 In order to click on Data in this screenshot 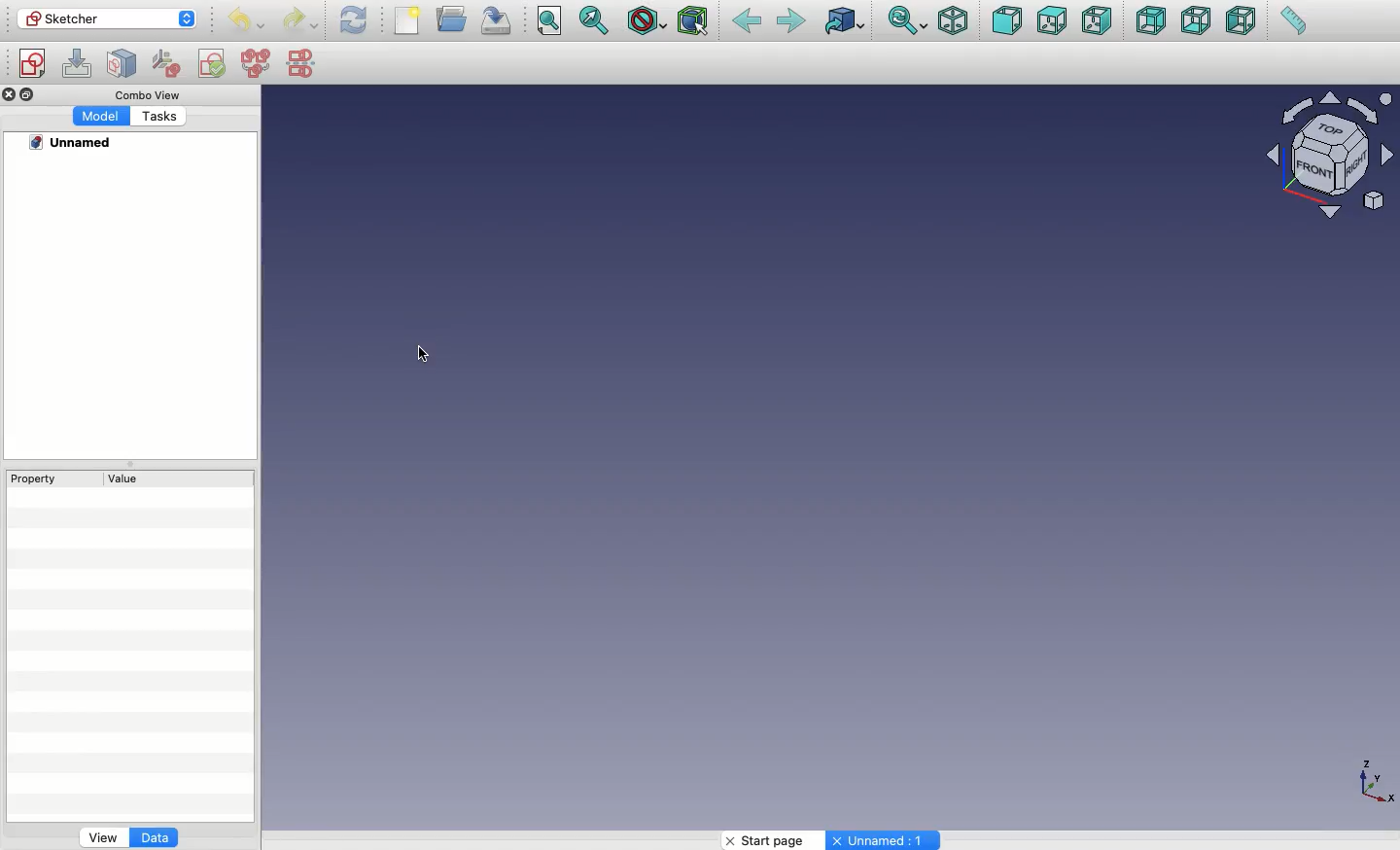, I will do `click(156, 836)`.